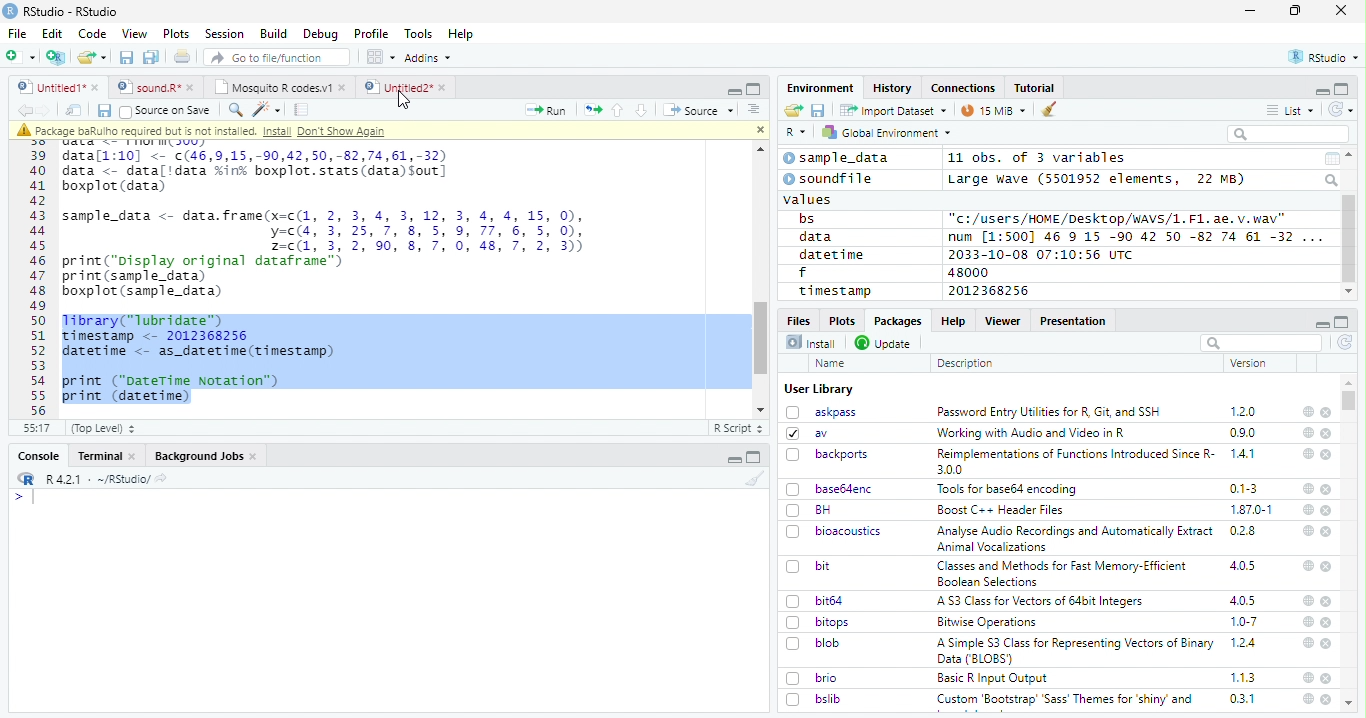  I want to click on help, so click(1308, 677).